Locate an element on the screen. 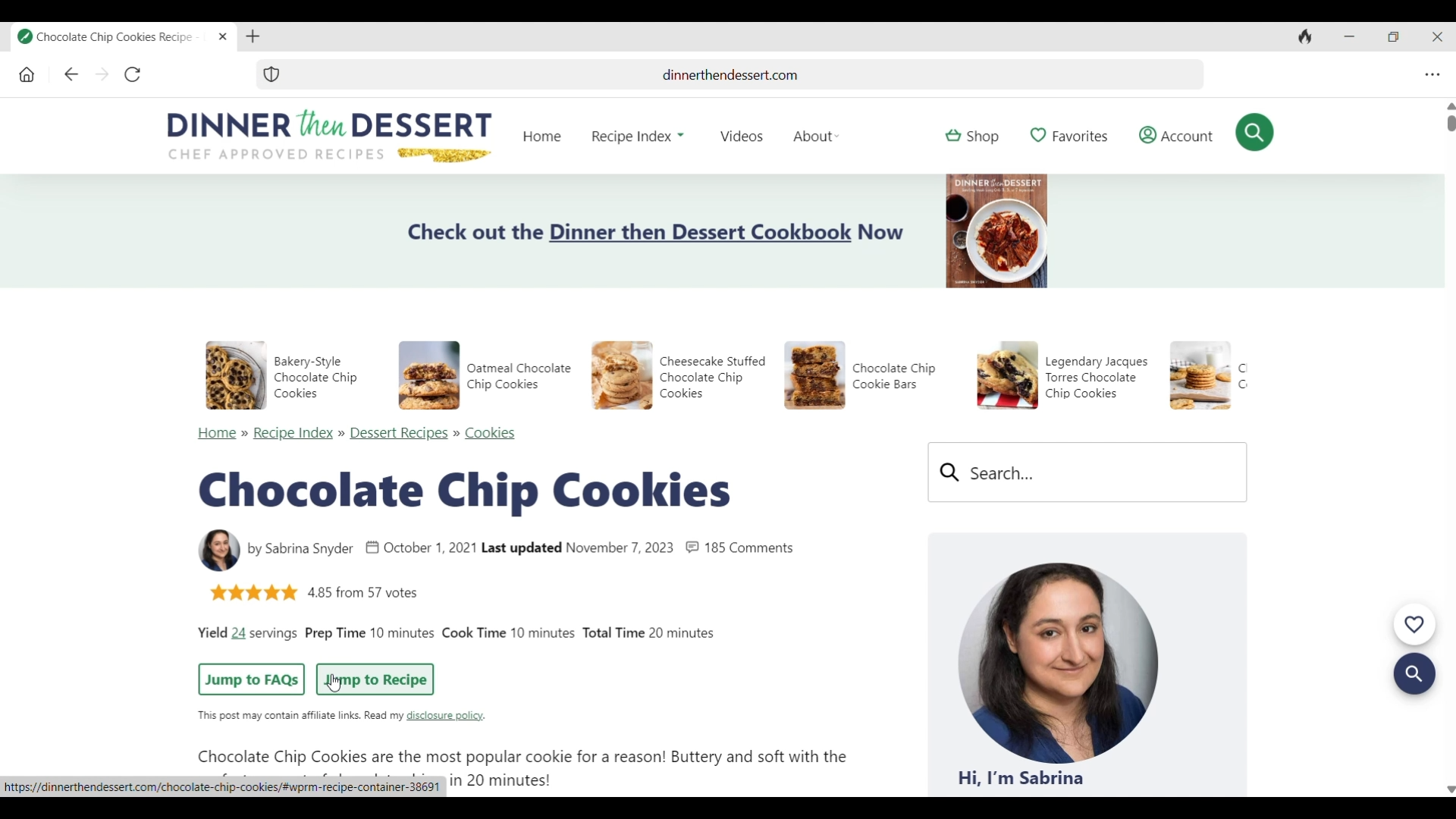 This screenshot has height=819, width=1456. Link to homepage is located at coordinates (541, 136).